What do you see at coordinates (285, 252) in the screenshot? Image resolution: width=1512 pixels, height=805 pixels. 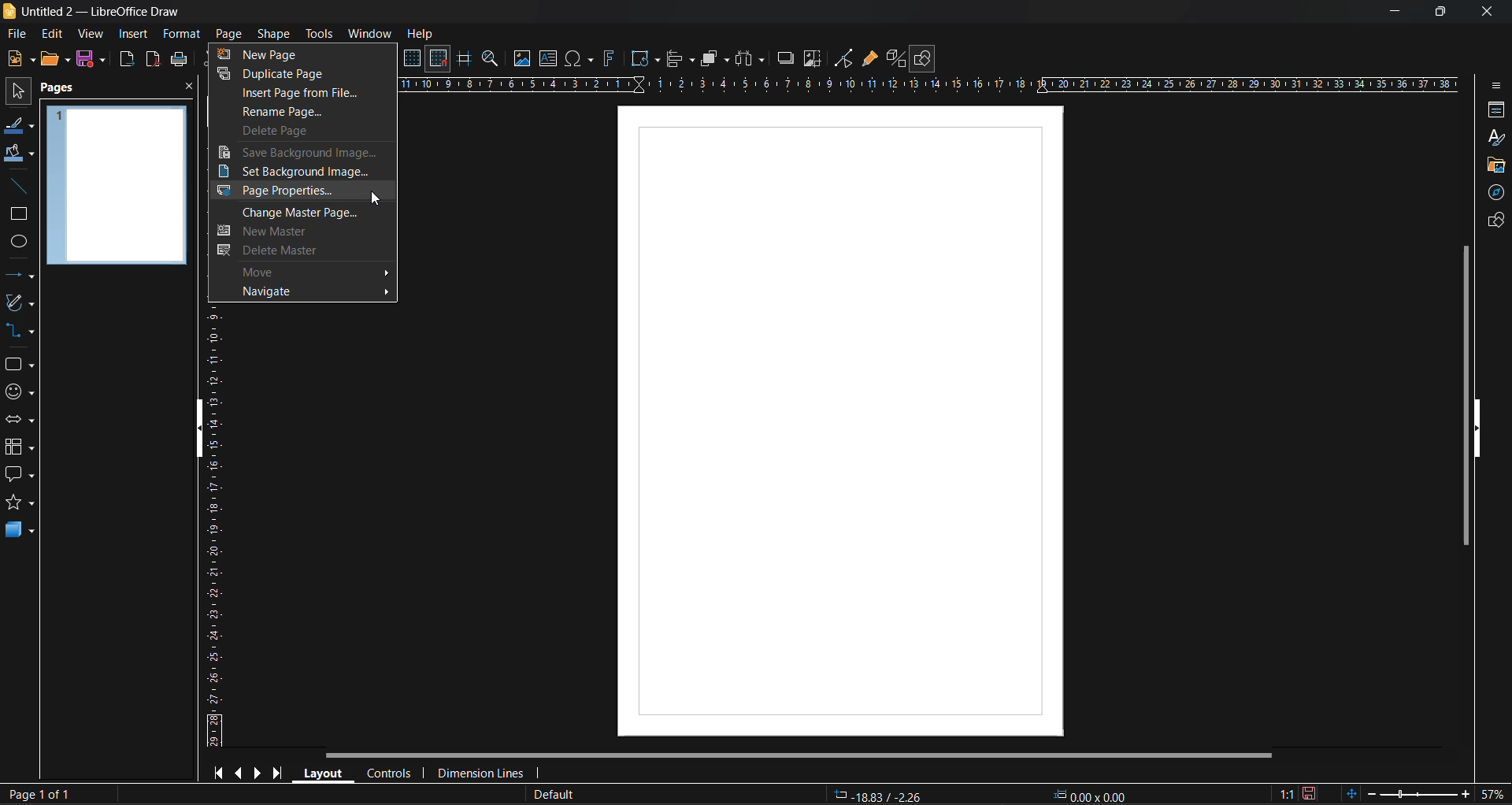 I see `delete  master` at bounding box center [285, 252].